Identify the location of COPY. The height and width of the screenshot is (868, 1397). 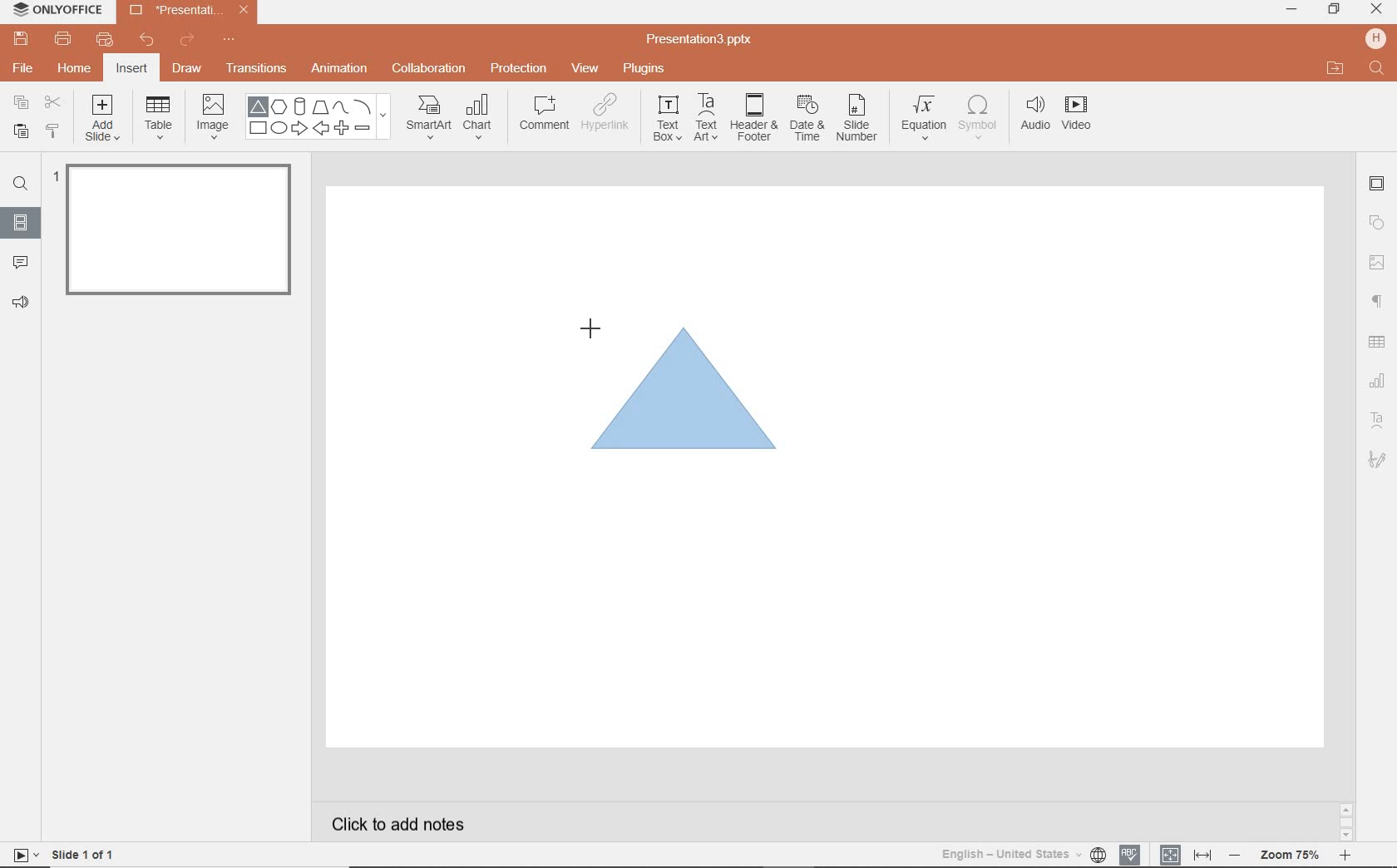
(22, 105).